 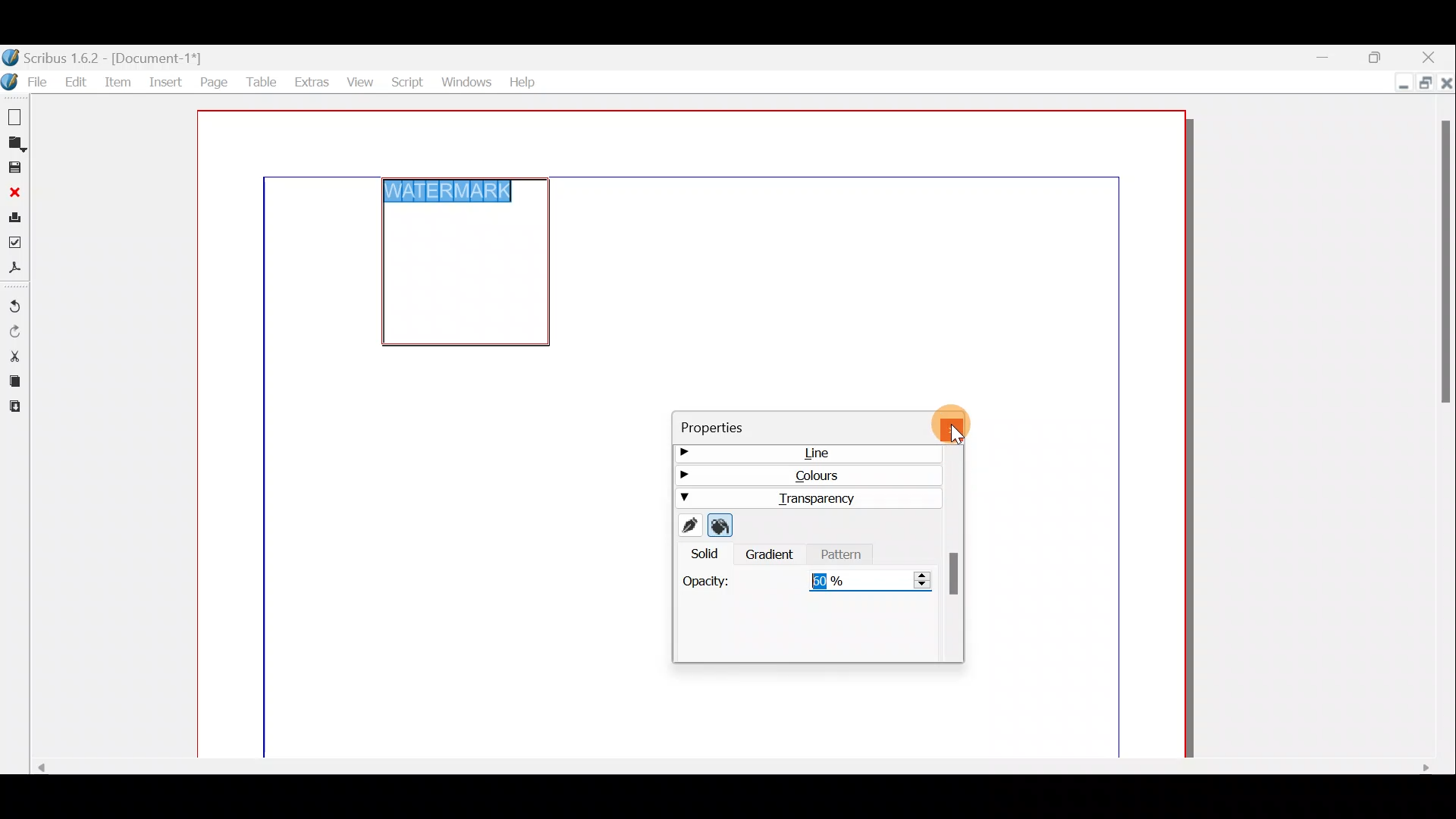 I want to click on Scroll bar, so click(x=724, y=769).